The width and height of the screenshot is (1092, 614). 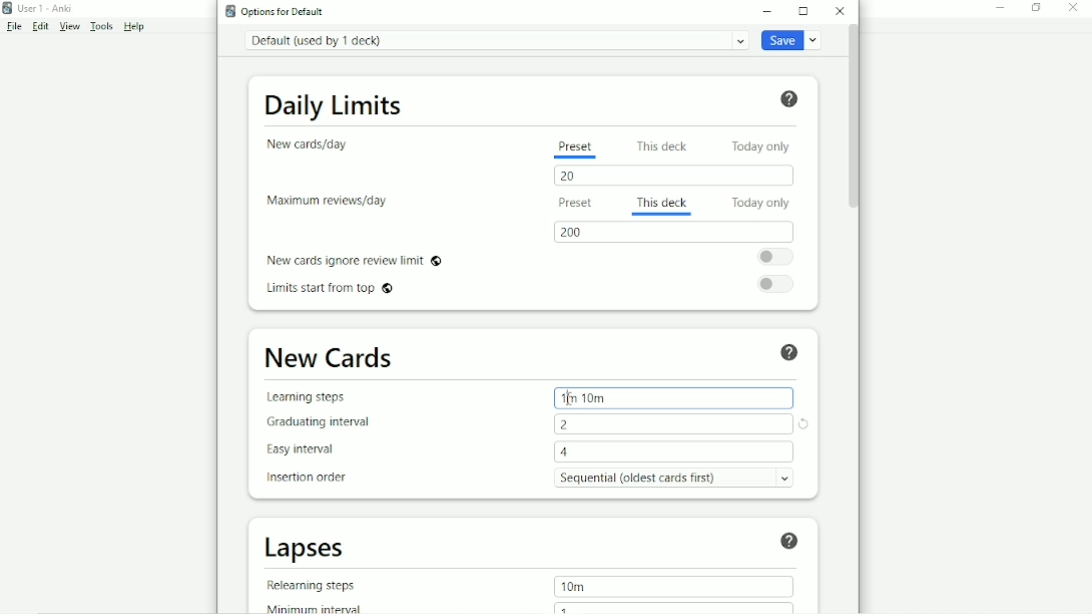 I want to click on Relearning steps, so click(x=311, y=585).